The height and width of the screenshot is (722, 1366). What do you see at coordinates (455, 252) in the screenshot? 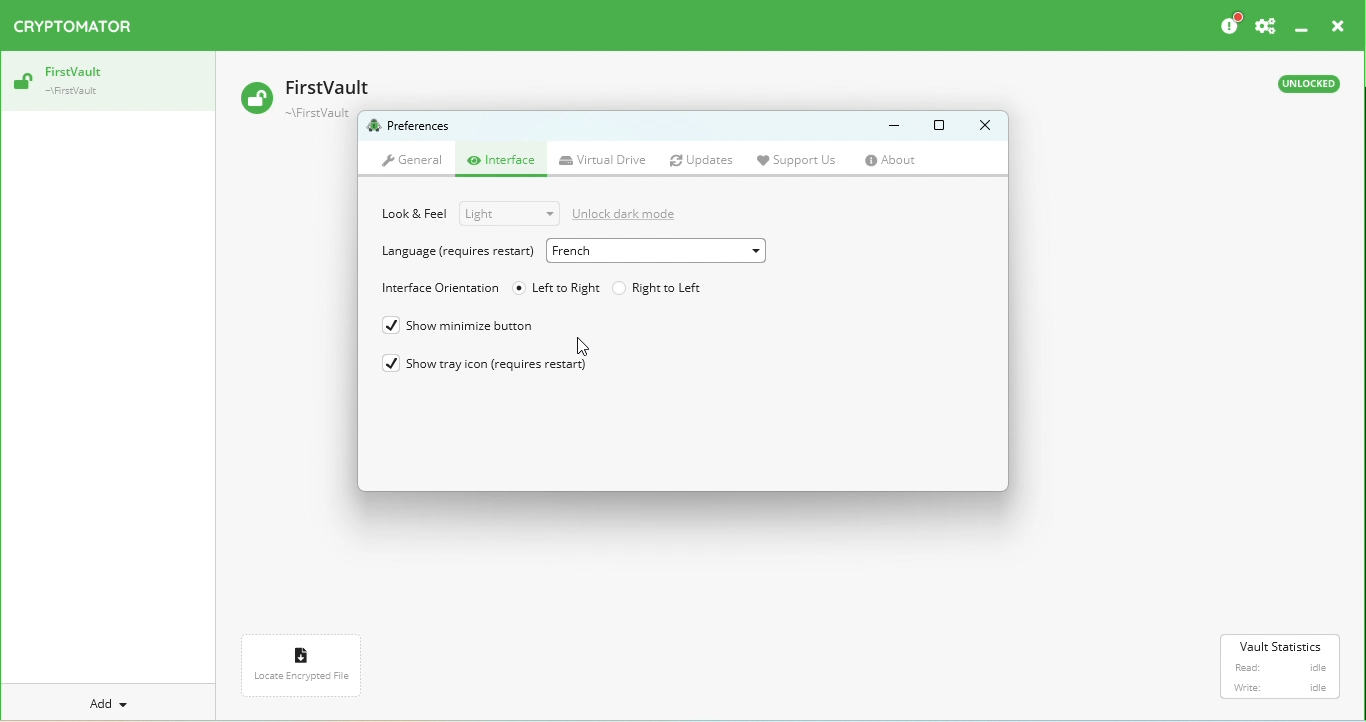
I see `Language` at bounding box center [455, 252].